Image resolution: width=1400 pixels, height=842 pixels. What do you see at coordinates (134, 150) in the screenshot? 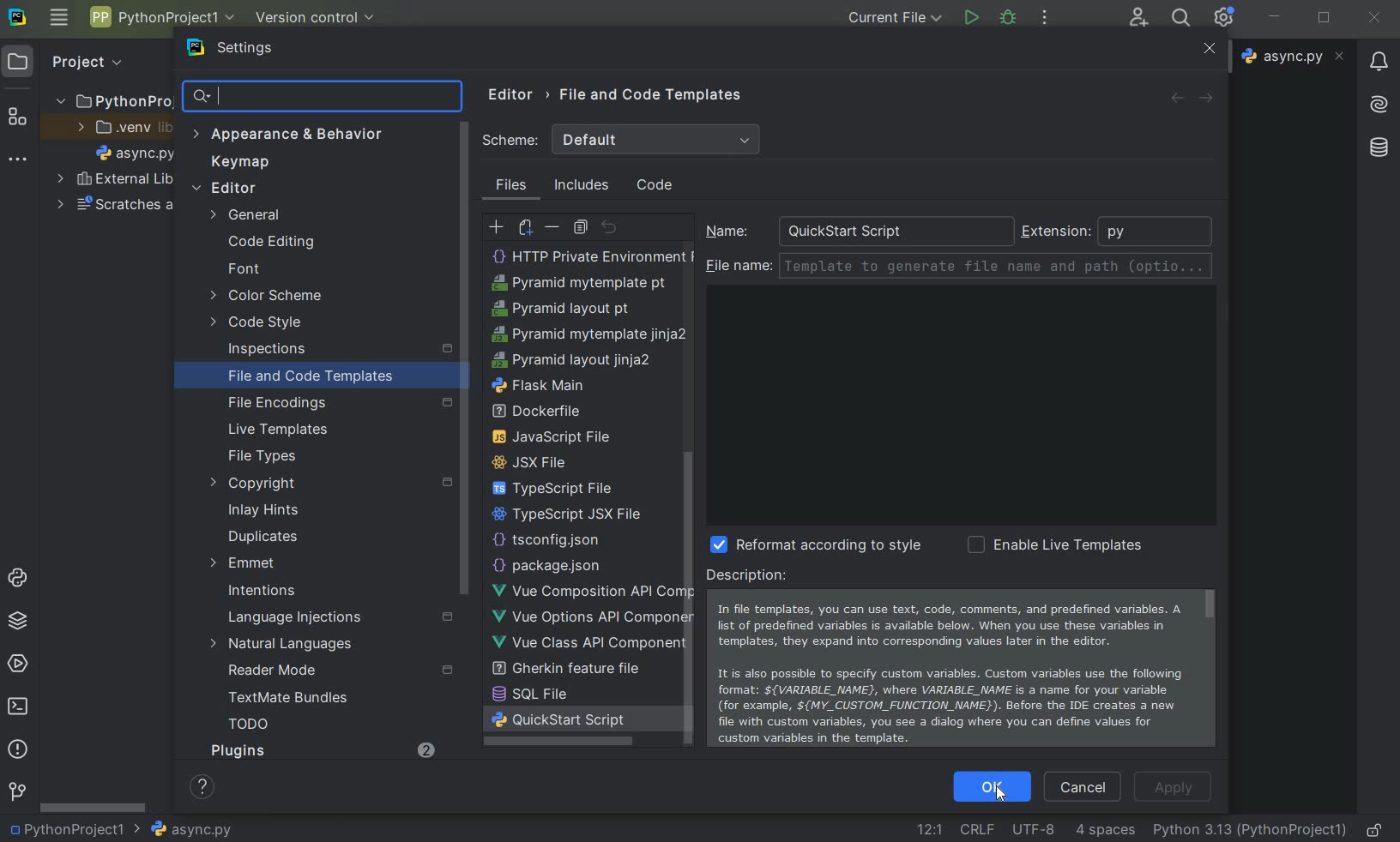
I see `file name` at bounding box center [134, 150].